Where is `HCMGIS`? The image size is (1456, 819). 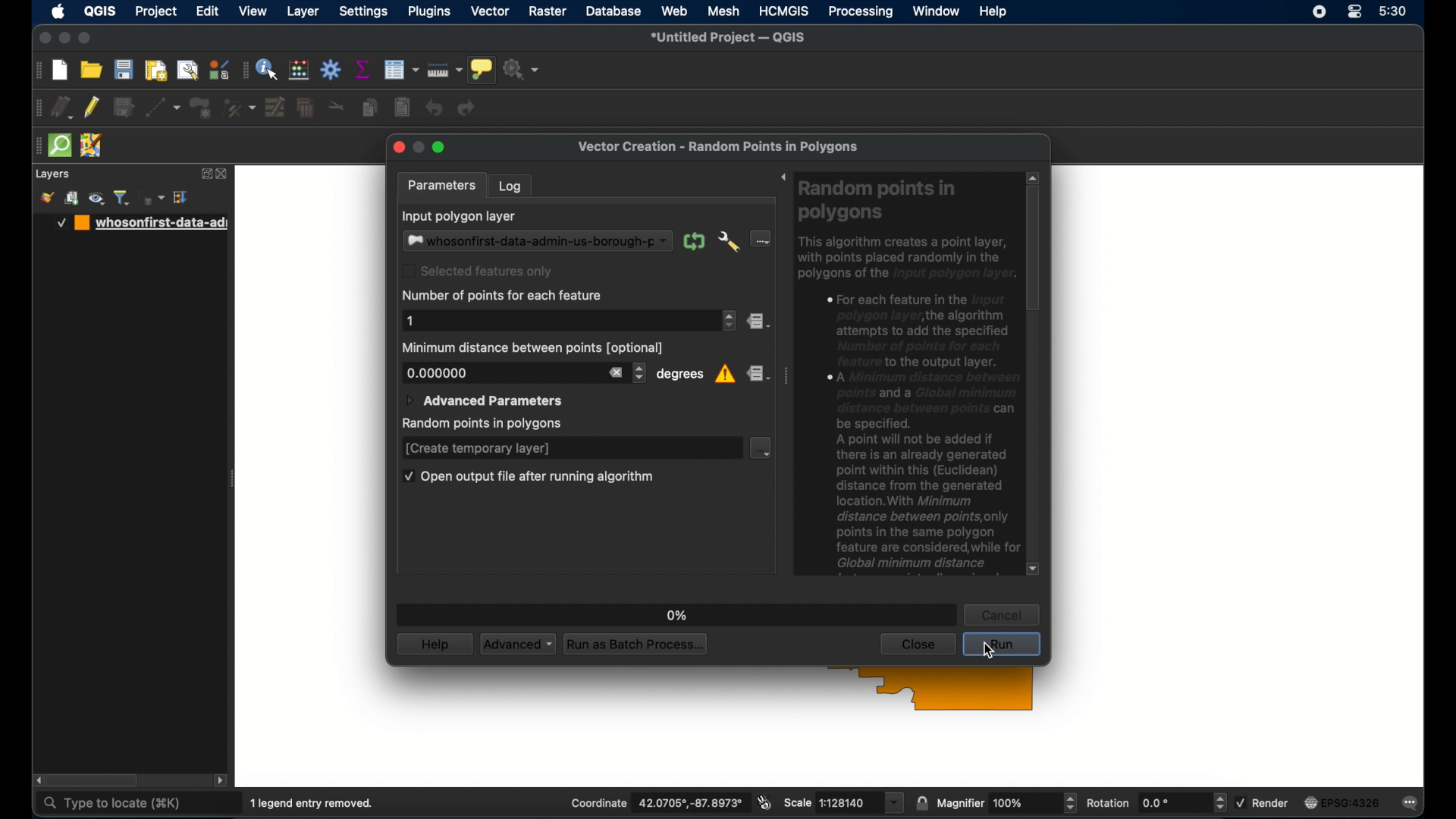
HCMGIS is located at coordinates (783, 11).